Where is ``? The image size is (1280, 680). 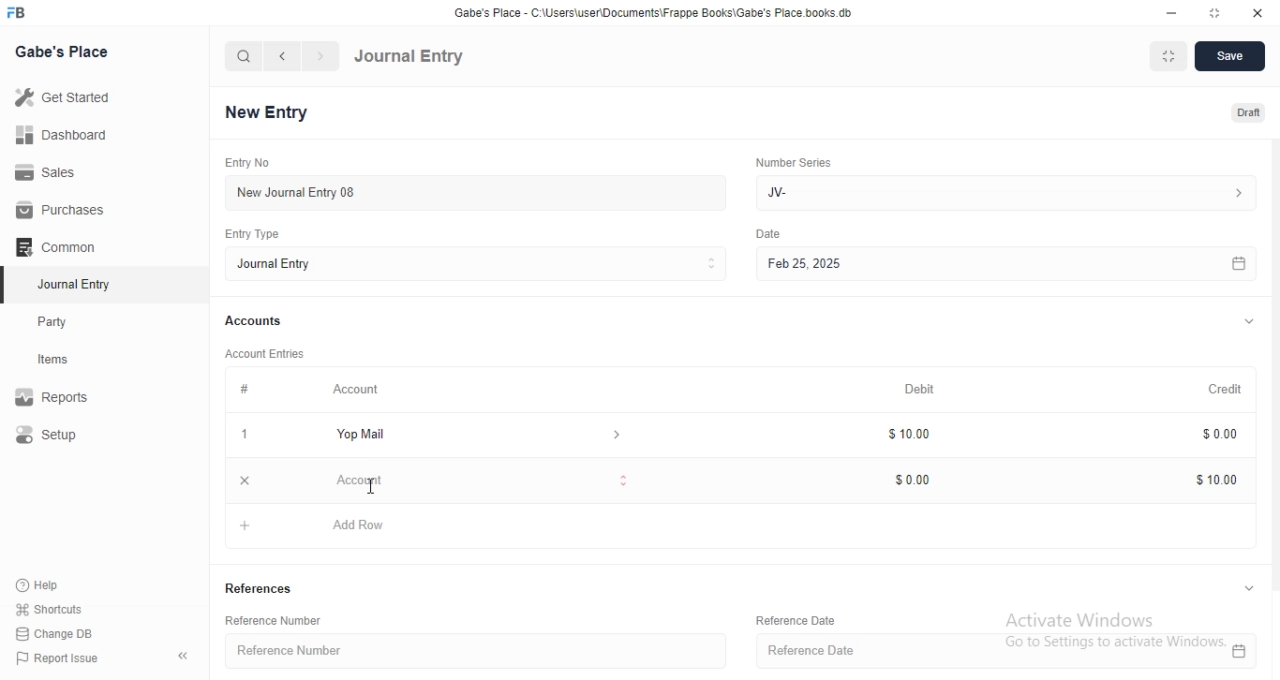
 is located at coordinates (768, 234).